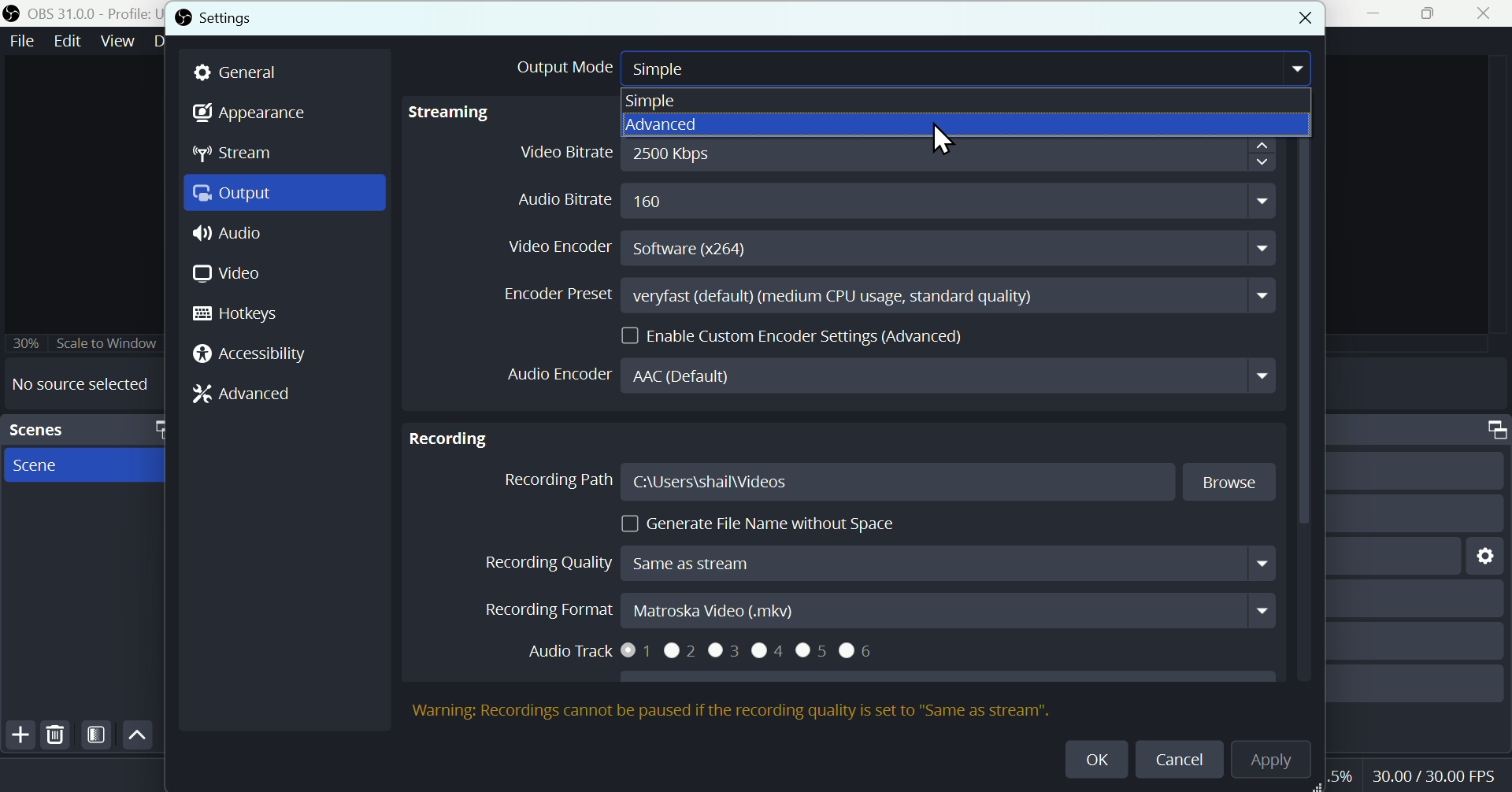 Image resolution: width=1512 pixels, height=792 pixels. What do you see at coordinates (879, 377) in the screenshot?
I see `Audio encoder` at bounding box center [879, 377].